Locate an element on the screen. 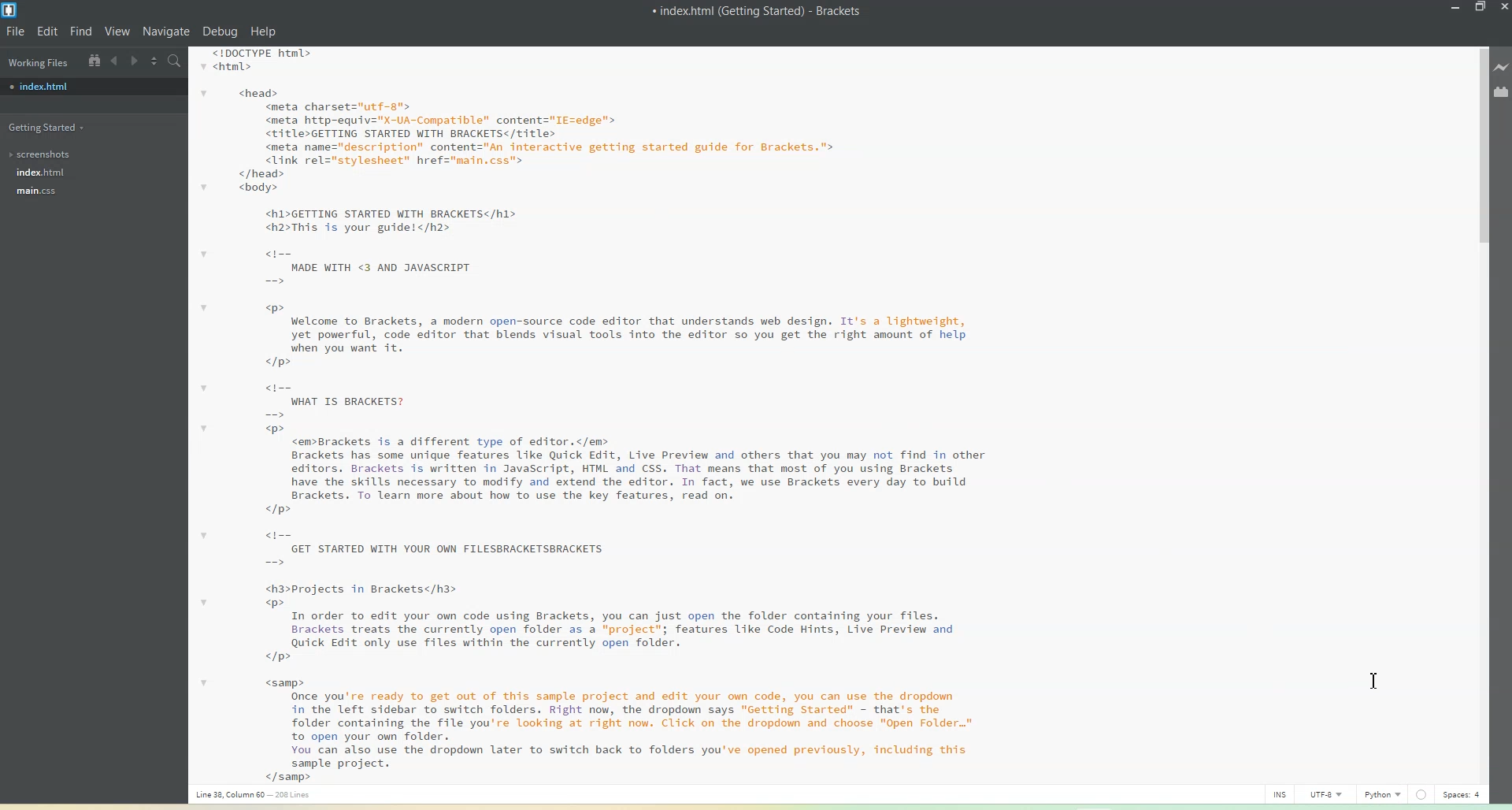  Spaces is located at coordinates (1462, 794).